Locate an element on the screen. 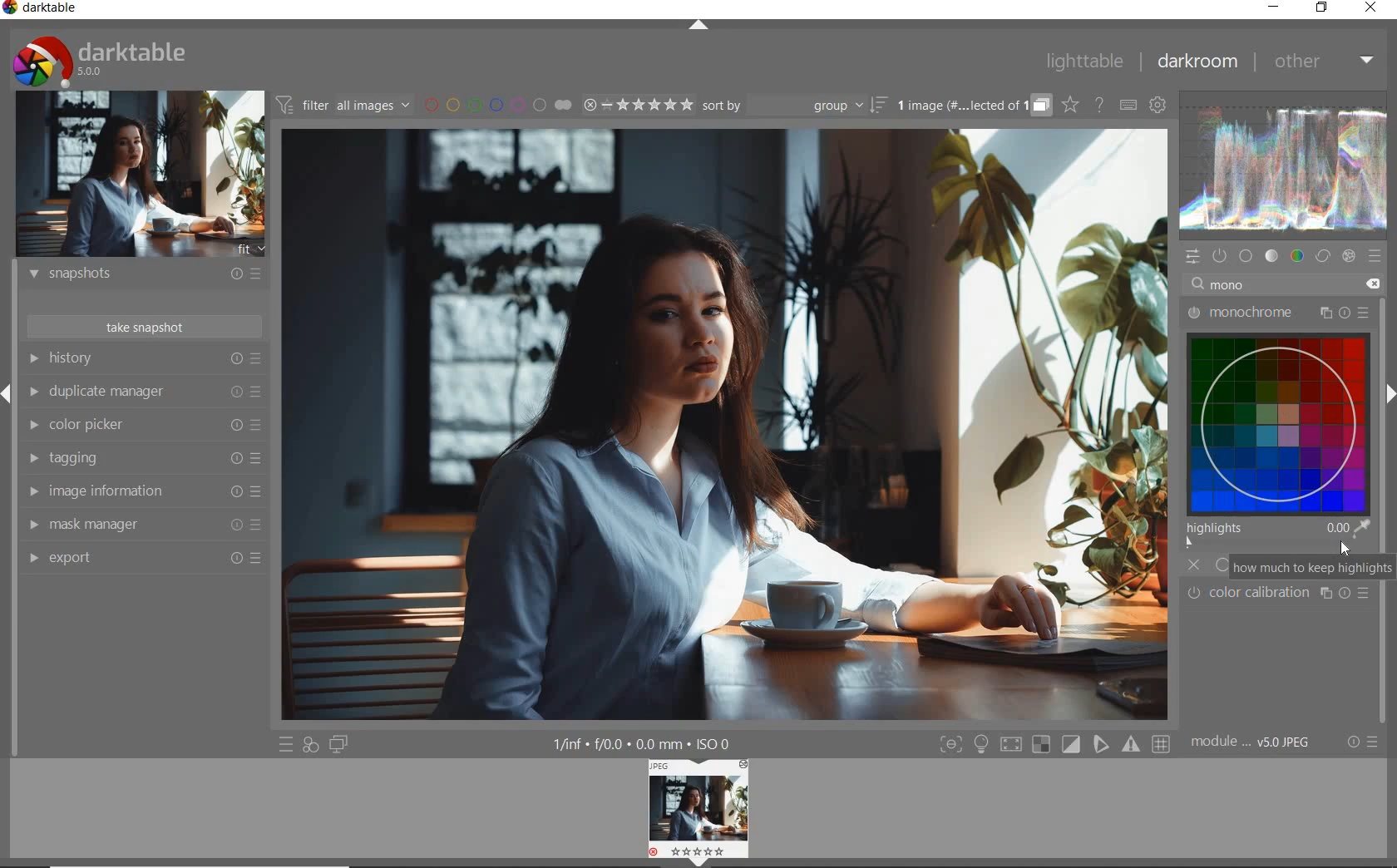  sort is located at coordinates (794, 106).